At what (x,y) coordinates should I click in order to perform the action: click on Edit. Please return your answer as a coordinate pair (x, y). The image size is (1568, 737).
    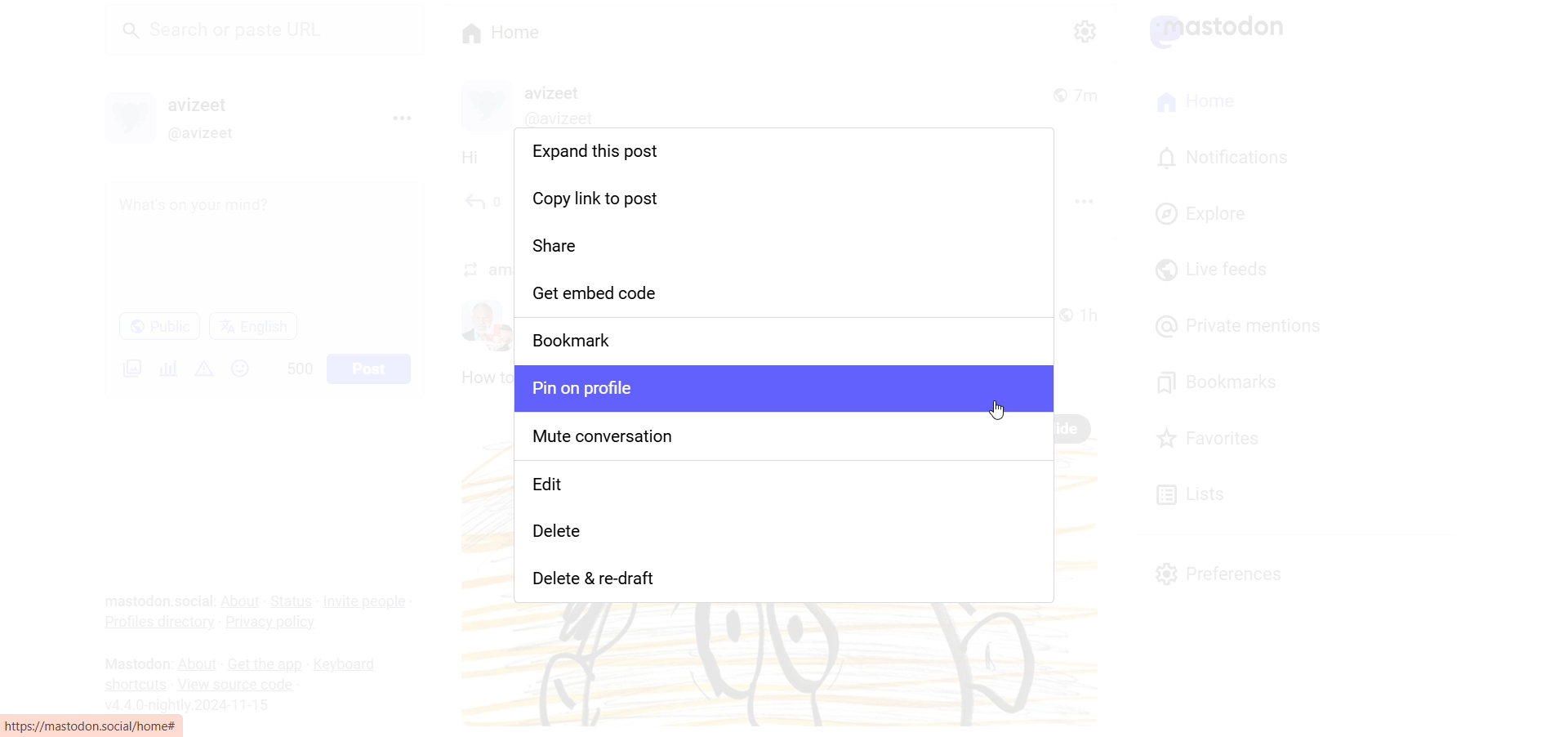
    Looking at the image, I should click on (787, 489).